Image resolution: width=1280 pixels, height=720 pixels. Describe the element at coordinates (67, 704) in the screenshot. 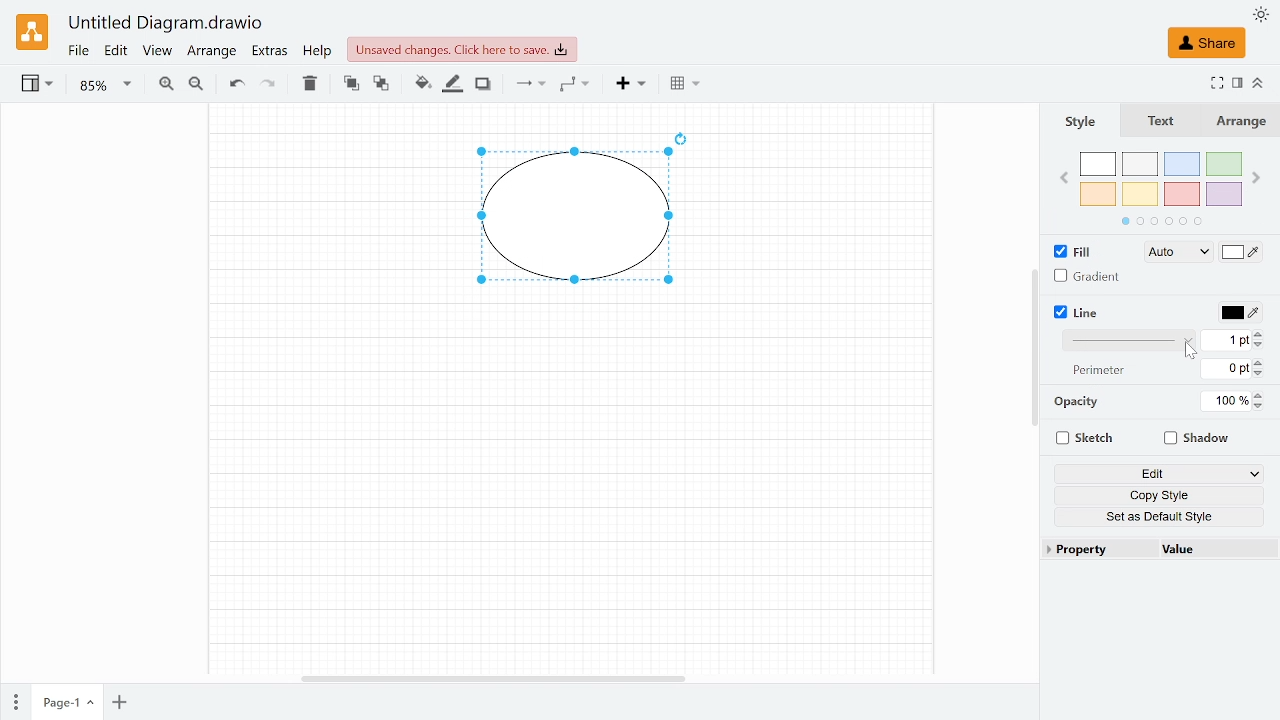

I see `Current page(Page 1)` at that location.